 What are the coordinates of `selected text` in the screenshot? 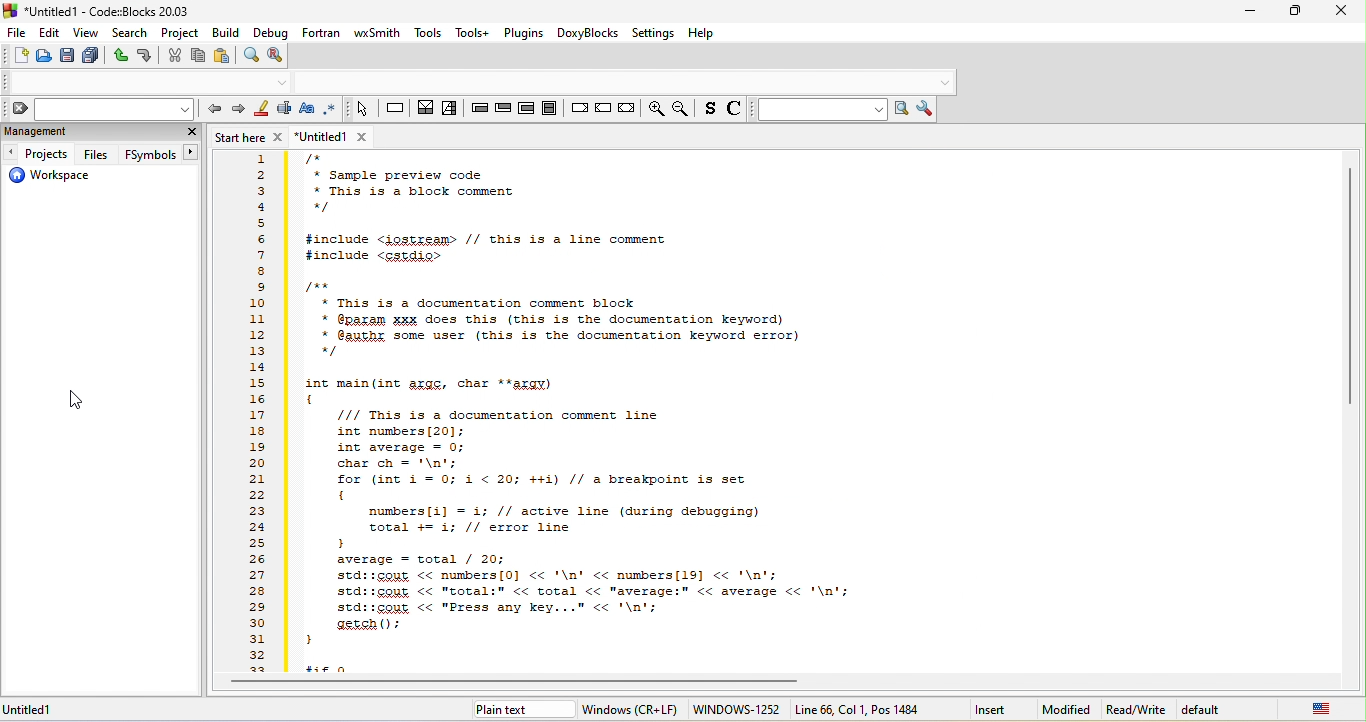 It's located at (285, 111).